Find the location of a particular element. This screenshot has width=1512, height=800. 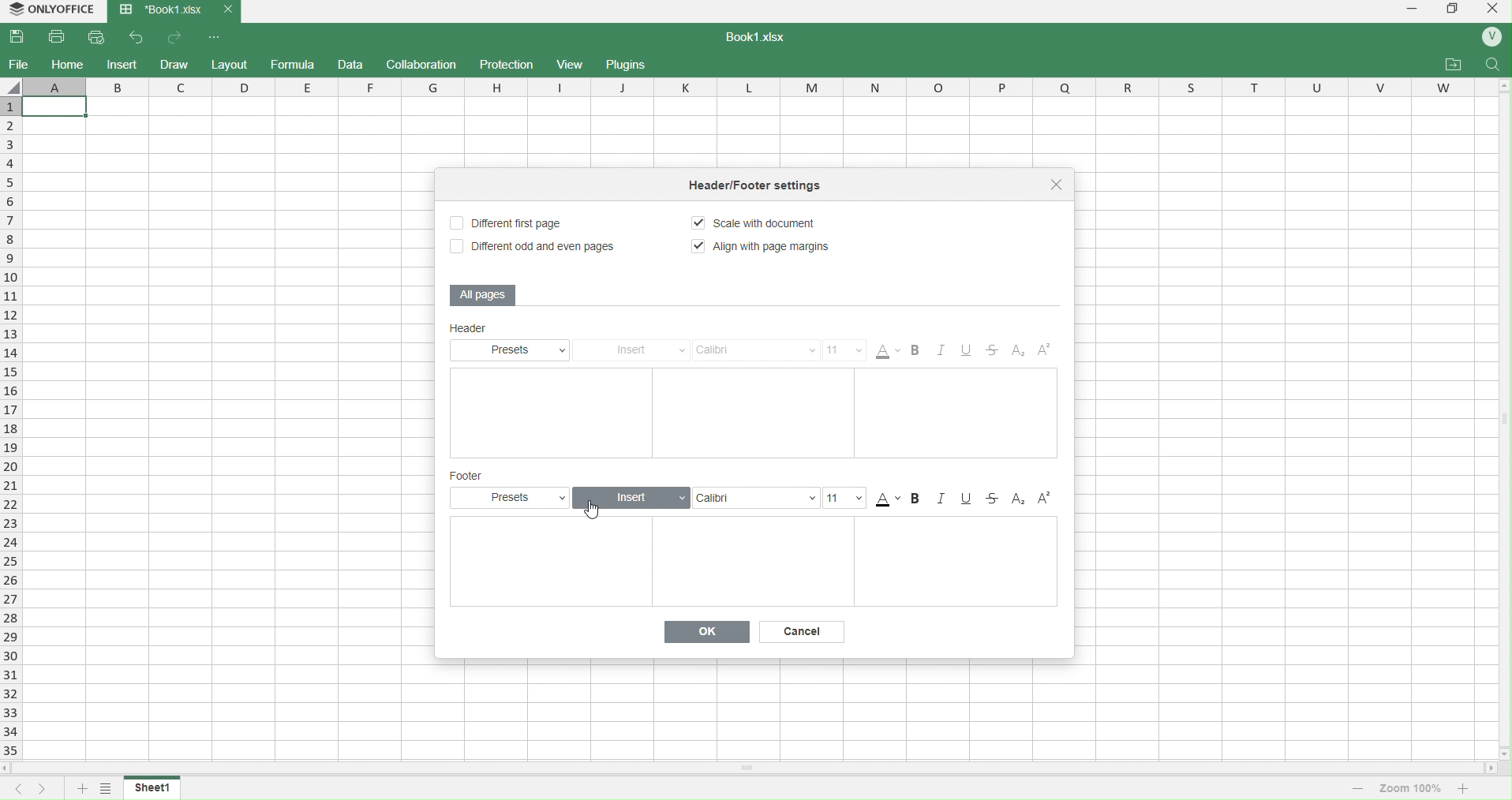

attachments is located at coordinates (1453, 65).